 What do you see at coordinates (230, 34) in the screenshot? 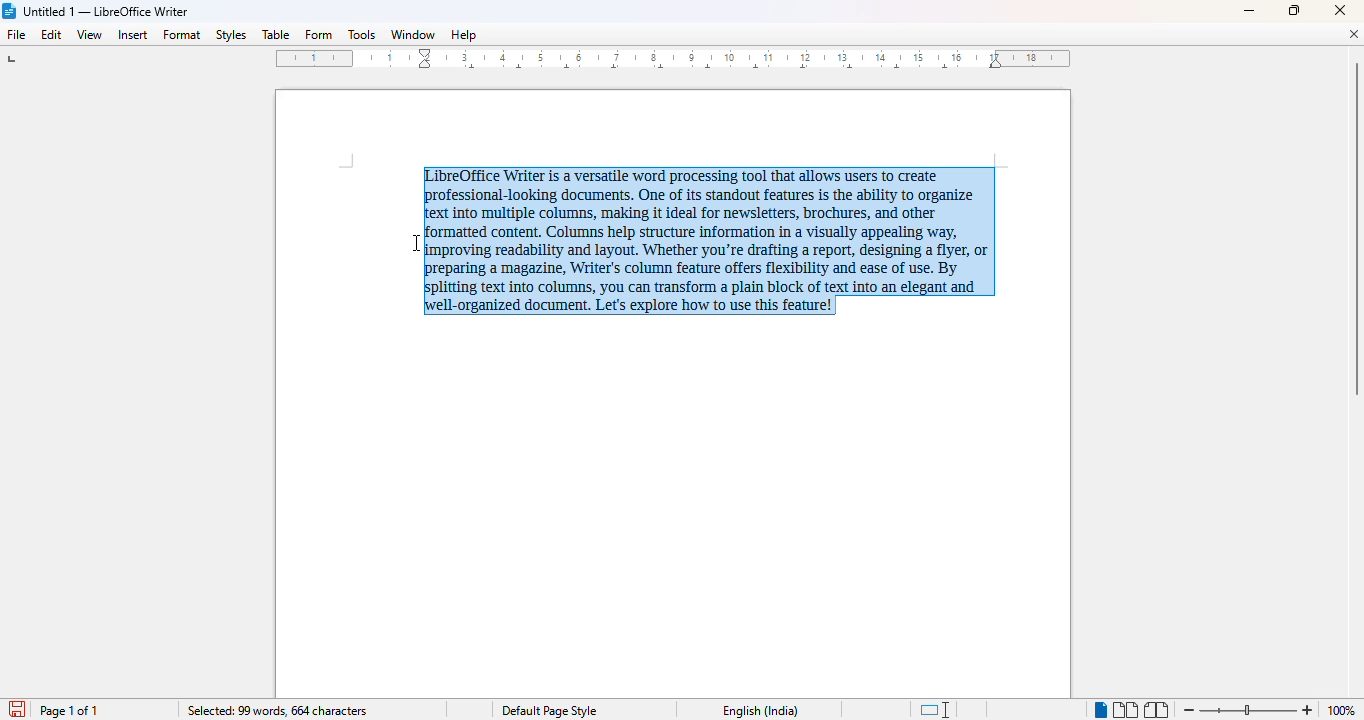
I see `styles` at bounding box center [230, 34].